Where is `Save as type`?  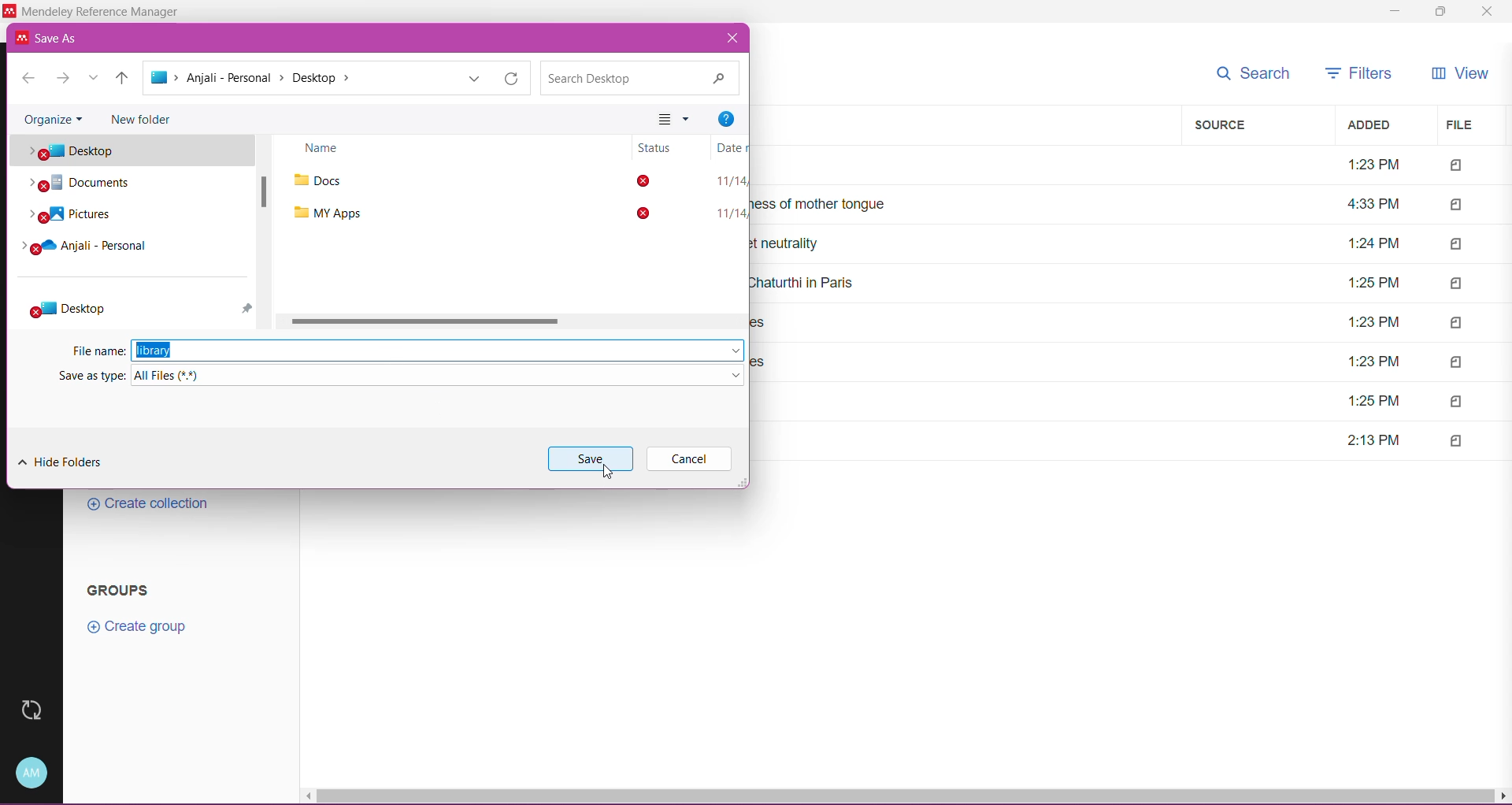
Save as type is located at coordinates (85, 376).